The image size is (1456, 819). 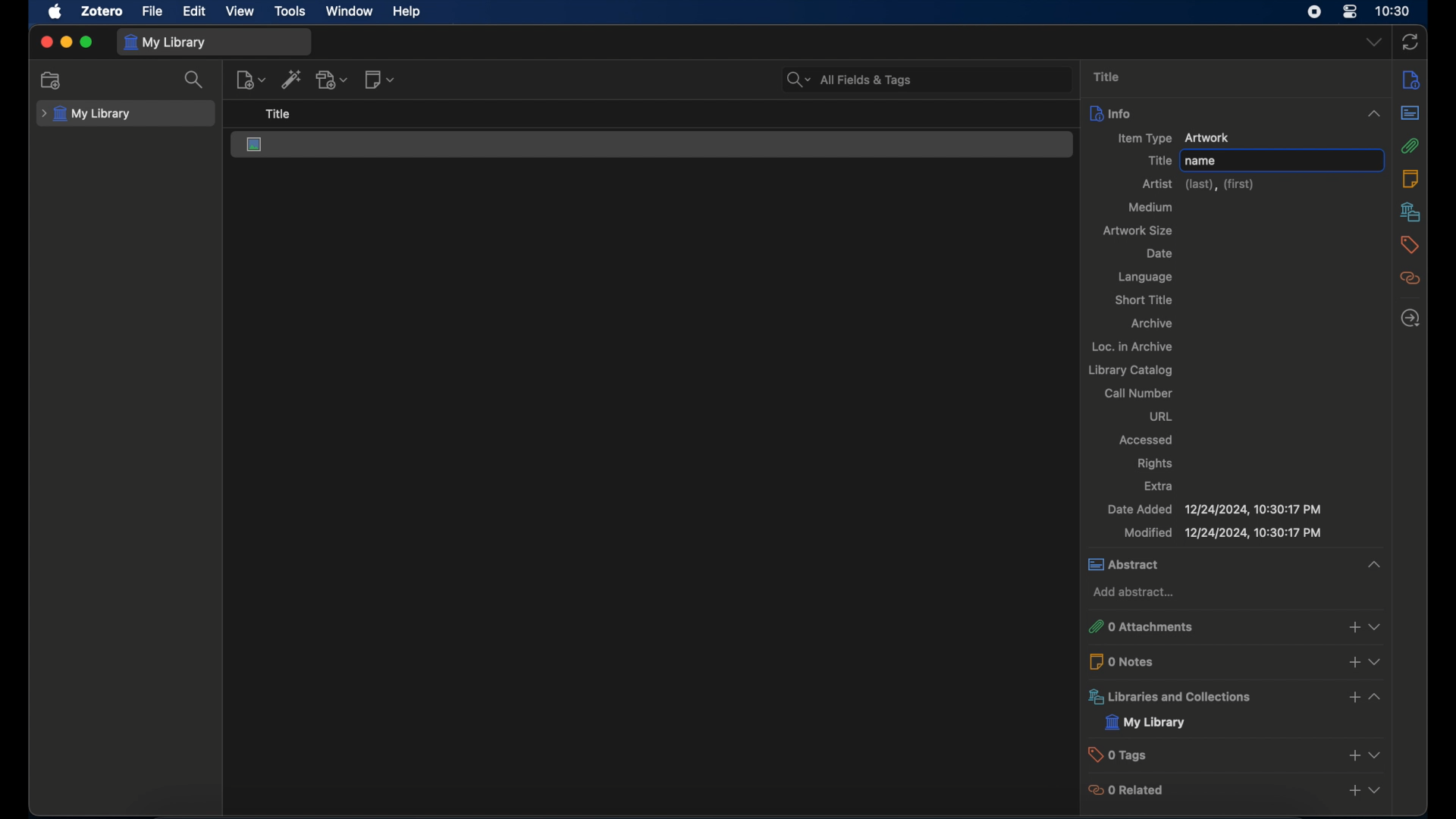 What do you see at coordinates (1411, 42) in the screenshot?
I see `sync` at bounding box center [1411, 42].